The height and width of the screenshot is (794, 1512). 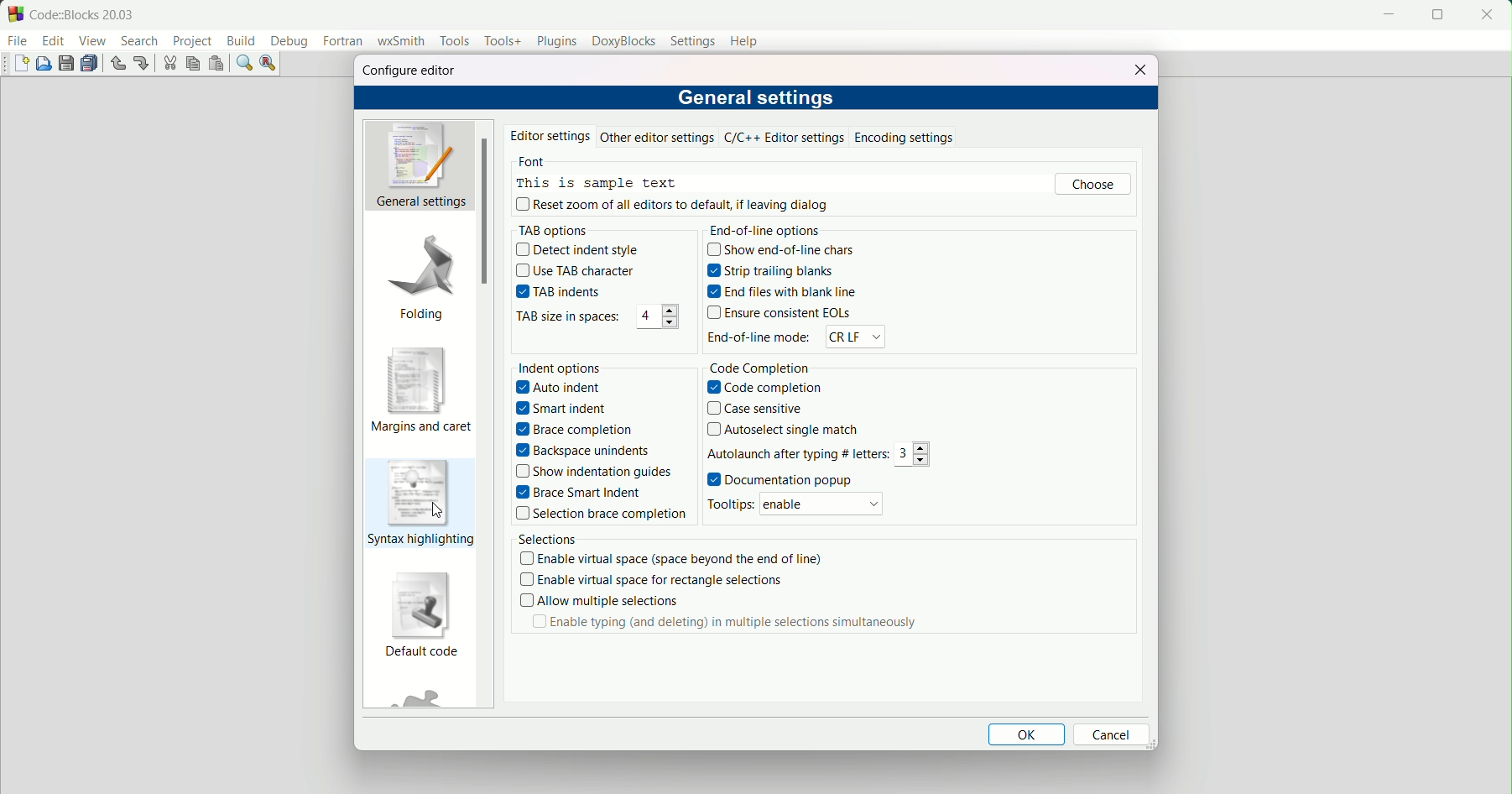 I want to click on search, so click(x=138, y=41).